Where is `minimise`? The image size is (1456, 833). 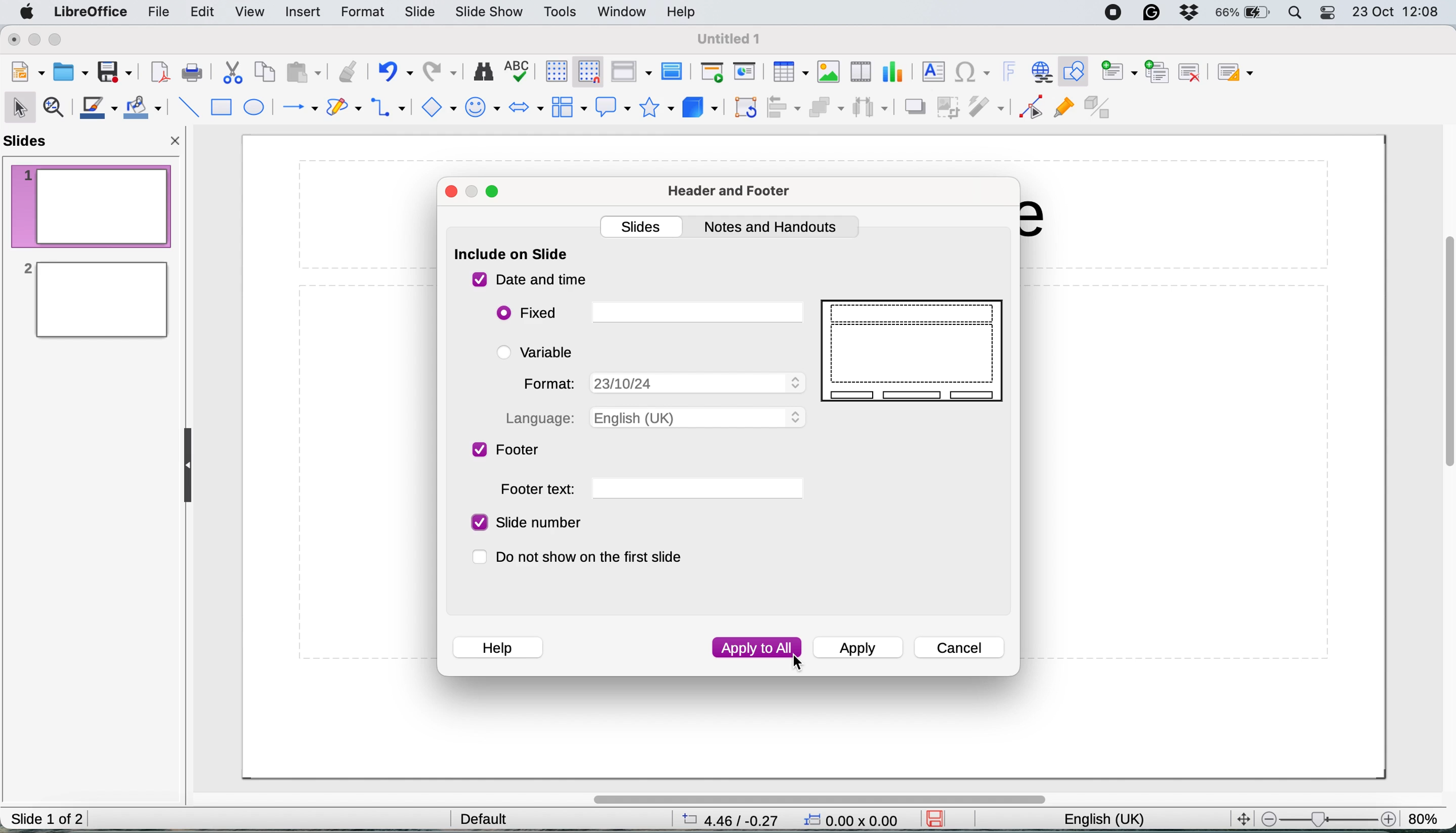
minimise is located at coordinates (36, 41).